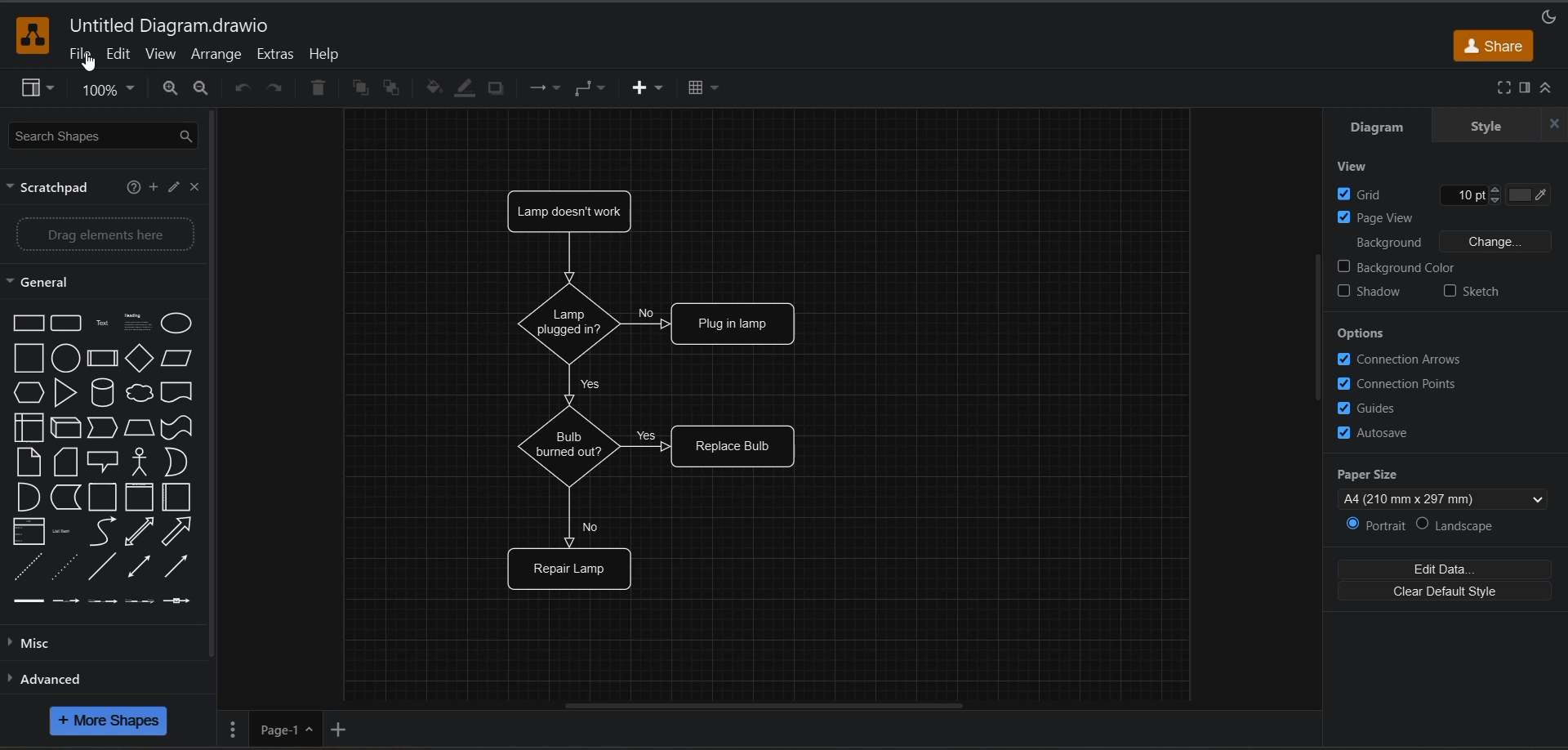 This screenshot has width=1568, height=750. Describe the element at coordinates (430, 88) in the screenshot. I see `fill color` at that location.